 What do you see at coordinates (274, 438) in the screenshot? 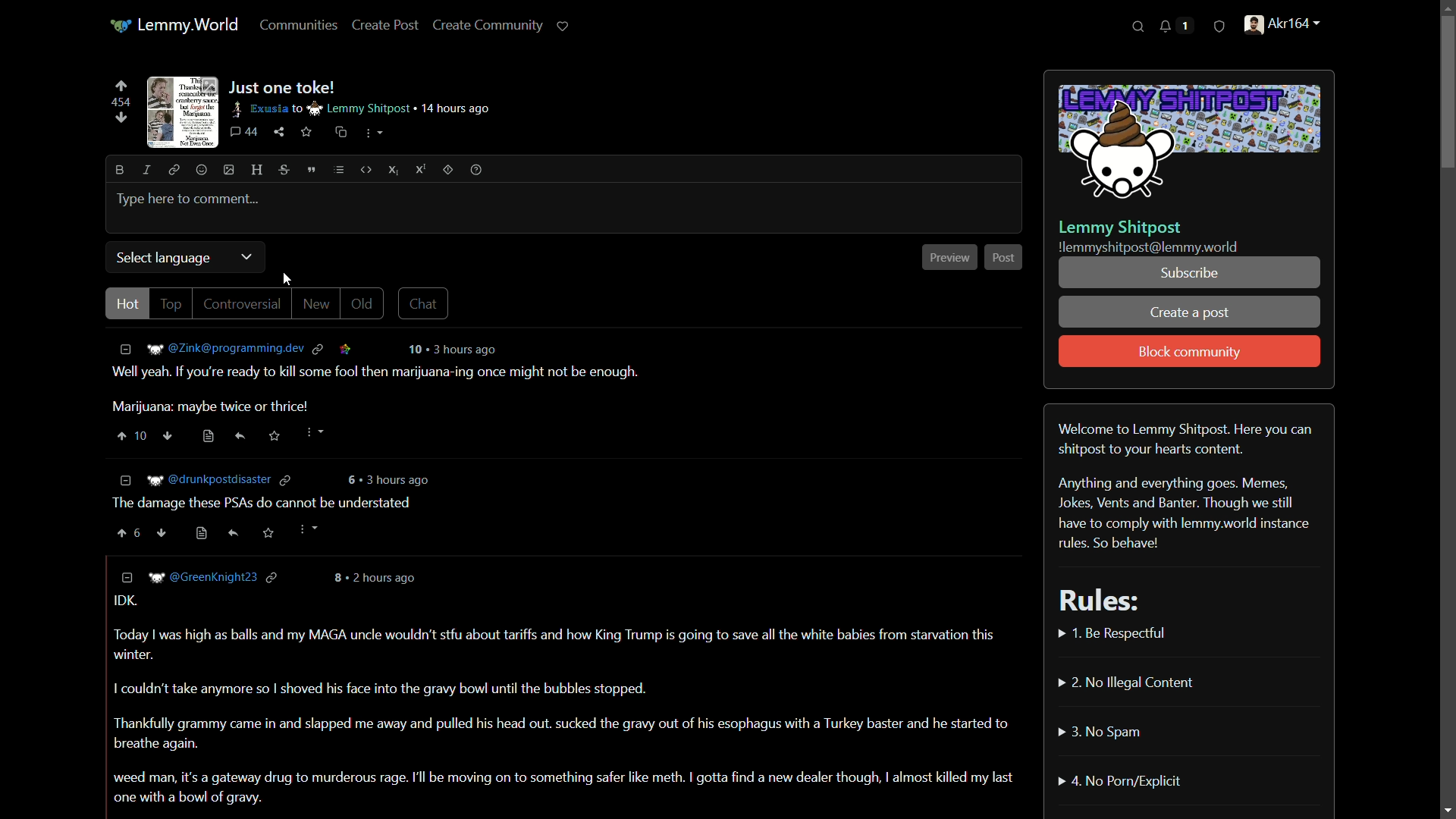
I see `save` at bounding box center [274, 438].